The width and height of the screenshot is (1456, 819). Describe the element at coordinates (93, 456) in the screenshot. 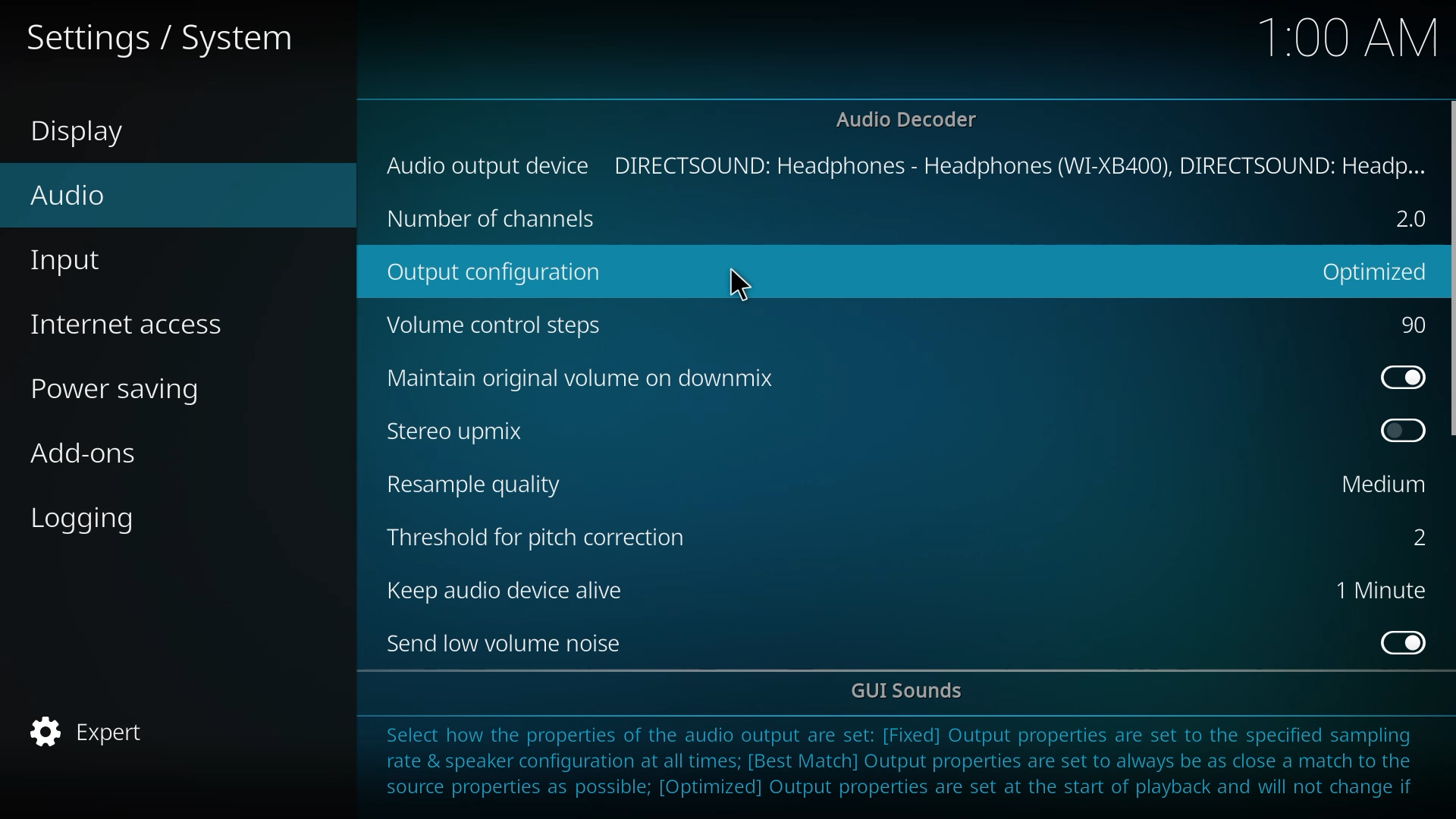

I see `add-ons` at that location.